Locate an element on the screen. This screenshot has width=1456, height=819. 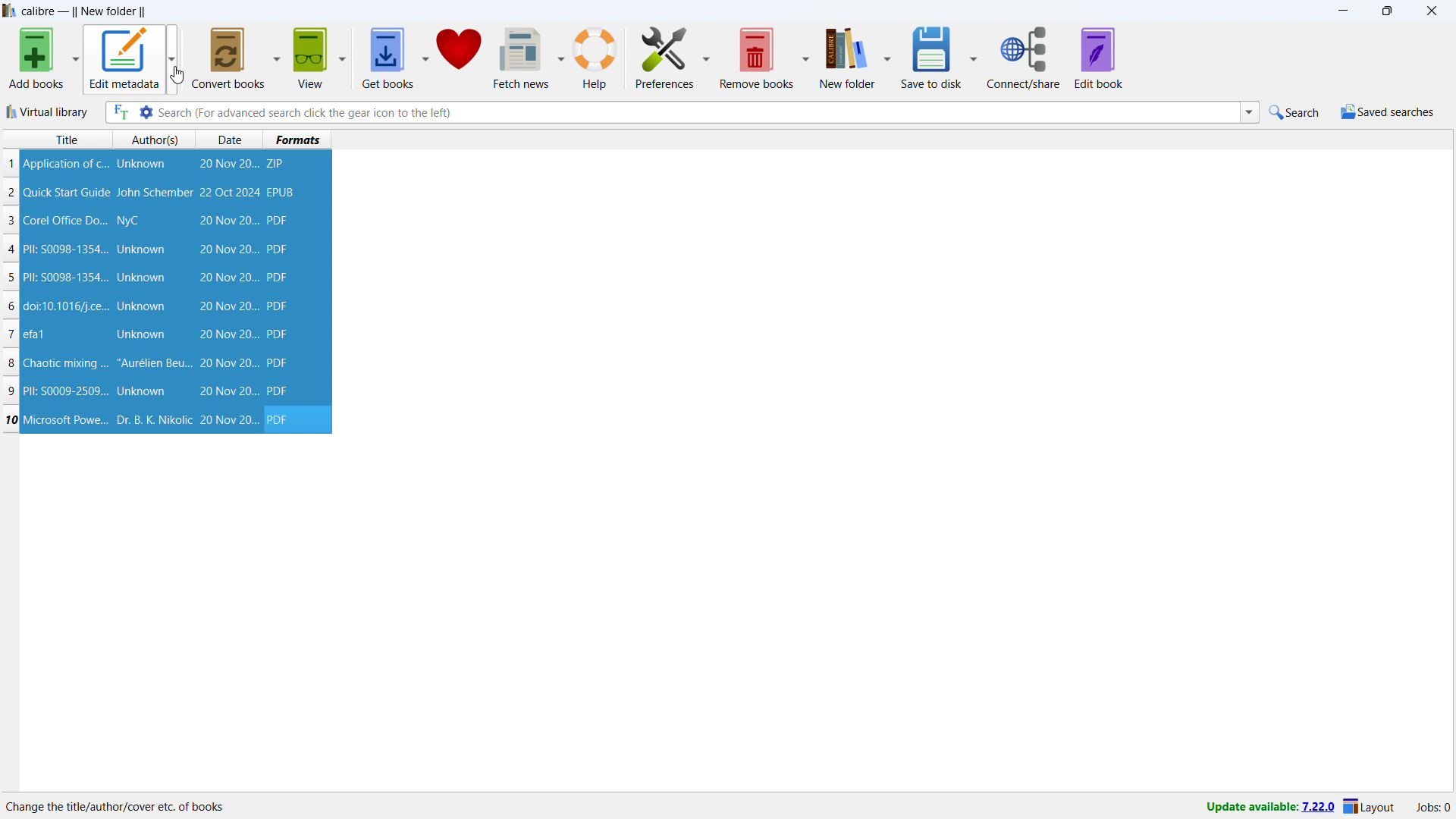
PDF is located at coordinates (280, 391).